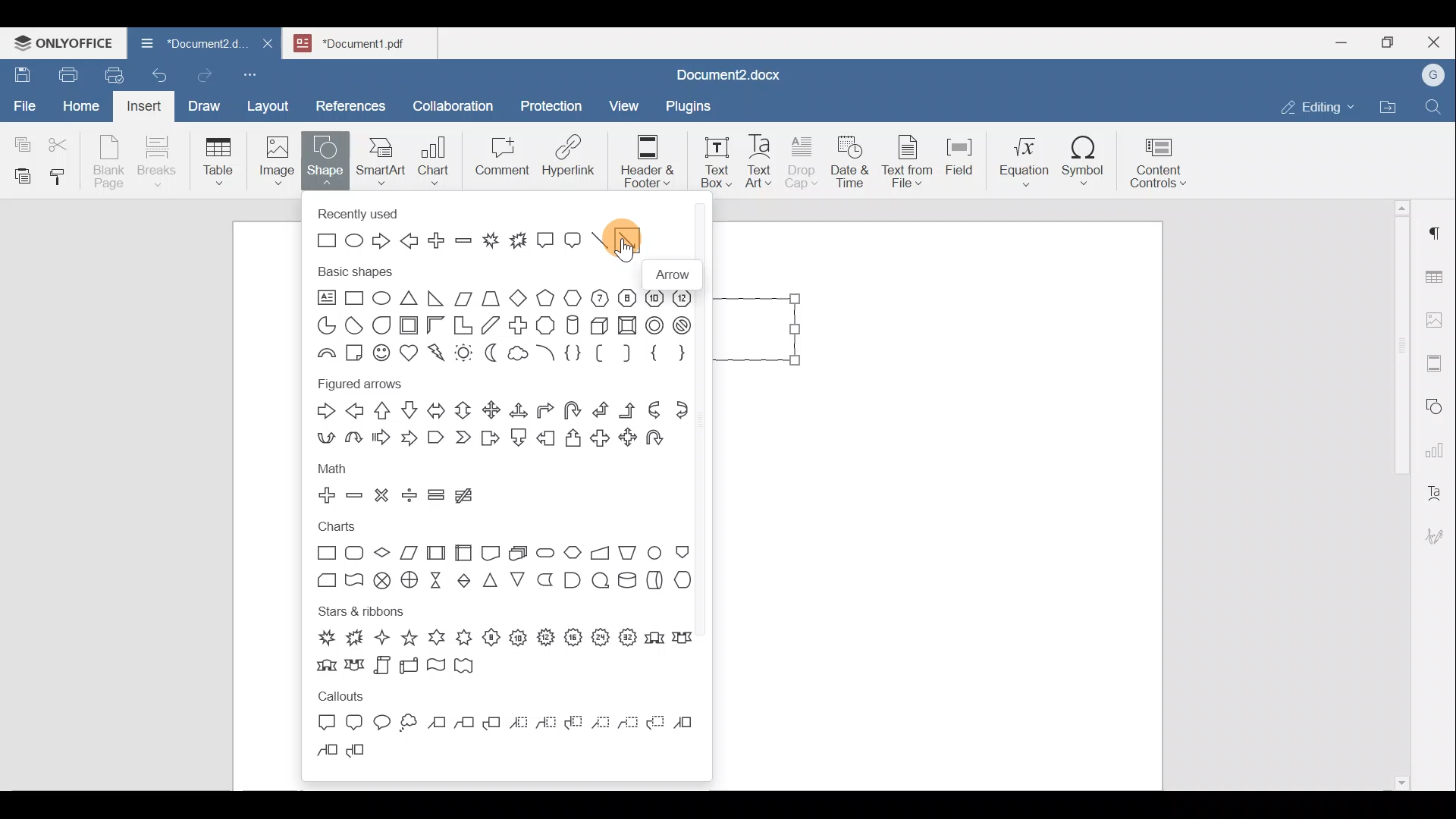 This screenshot has width=1456, height=819. Describe the element at coordinates (140, 103) in the screenshot. I see `Insert` at that location.